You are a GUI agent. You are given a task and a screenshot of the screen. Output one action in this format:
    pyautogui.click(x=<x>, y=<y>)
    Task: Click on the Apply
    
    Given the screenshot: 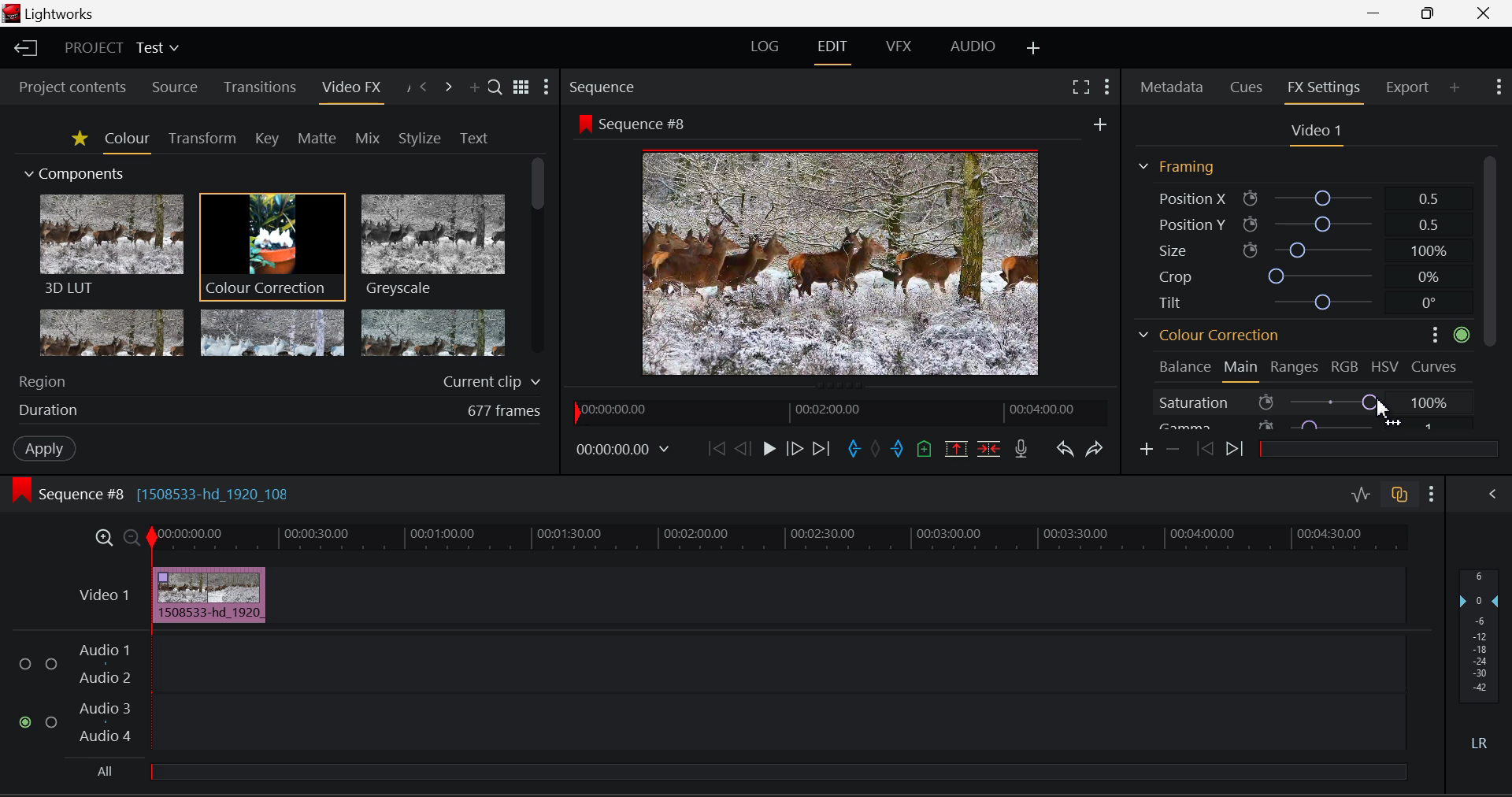 What is the action you would take?
    pyautogui.click(x=46, y=448)
    